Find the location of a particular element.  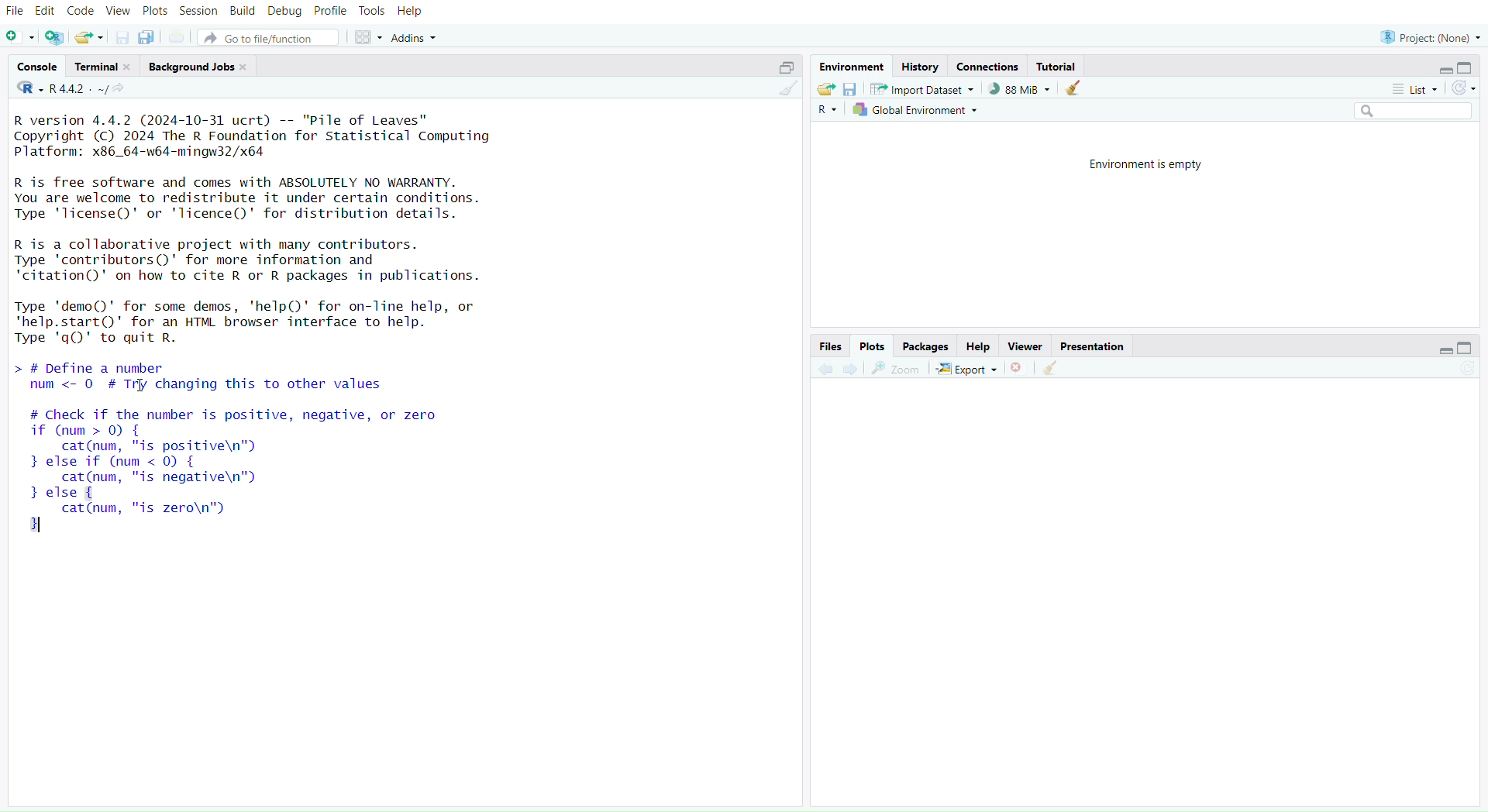

export is located at coordinates (966, 370).